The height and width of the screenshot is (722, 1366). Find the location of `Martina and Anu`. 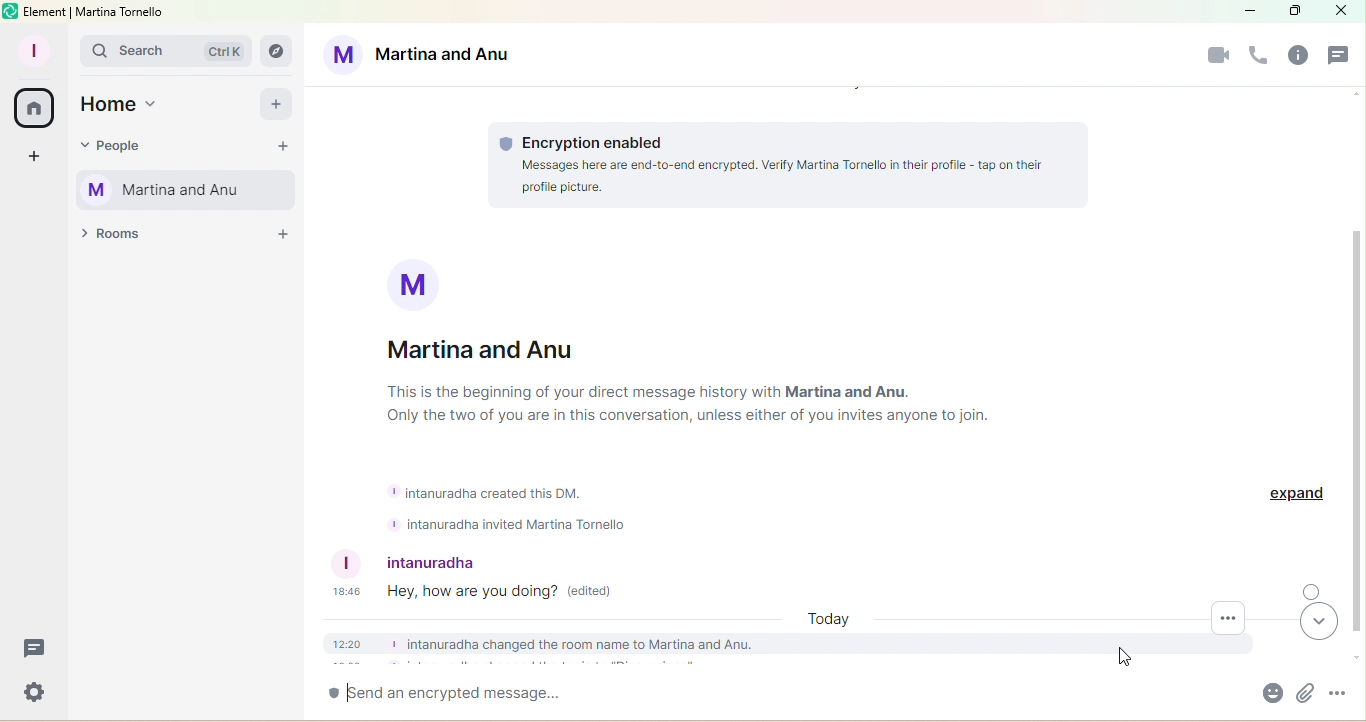

Martina and Anu is located at coordinates (422, 52).